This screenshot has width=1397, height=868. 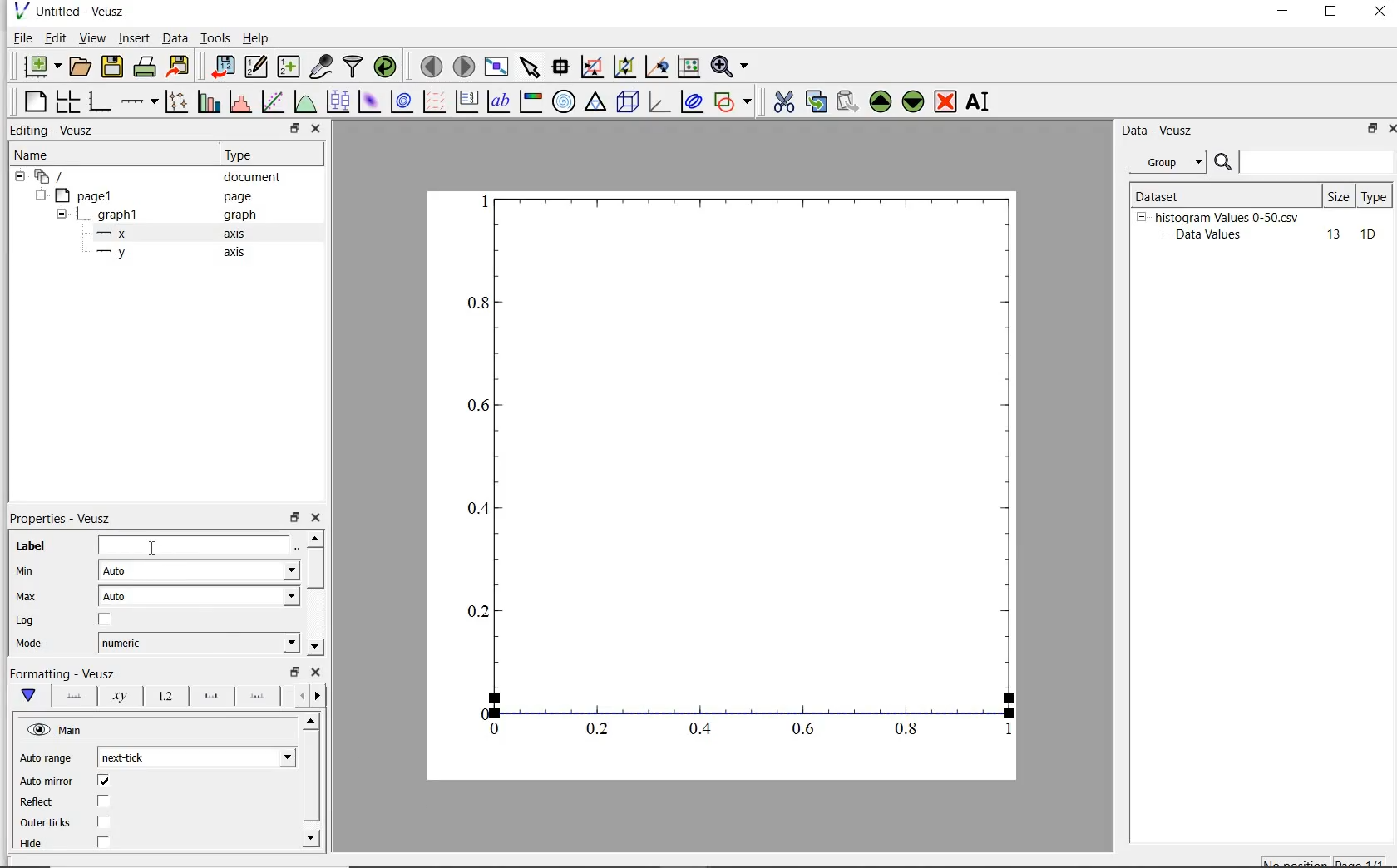 What do you see at coordinates (73, 696) in the screenshot?
I see `axis line` at bounding box center [73, 696].